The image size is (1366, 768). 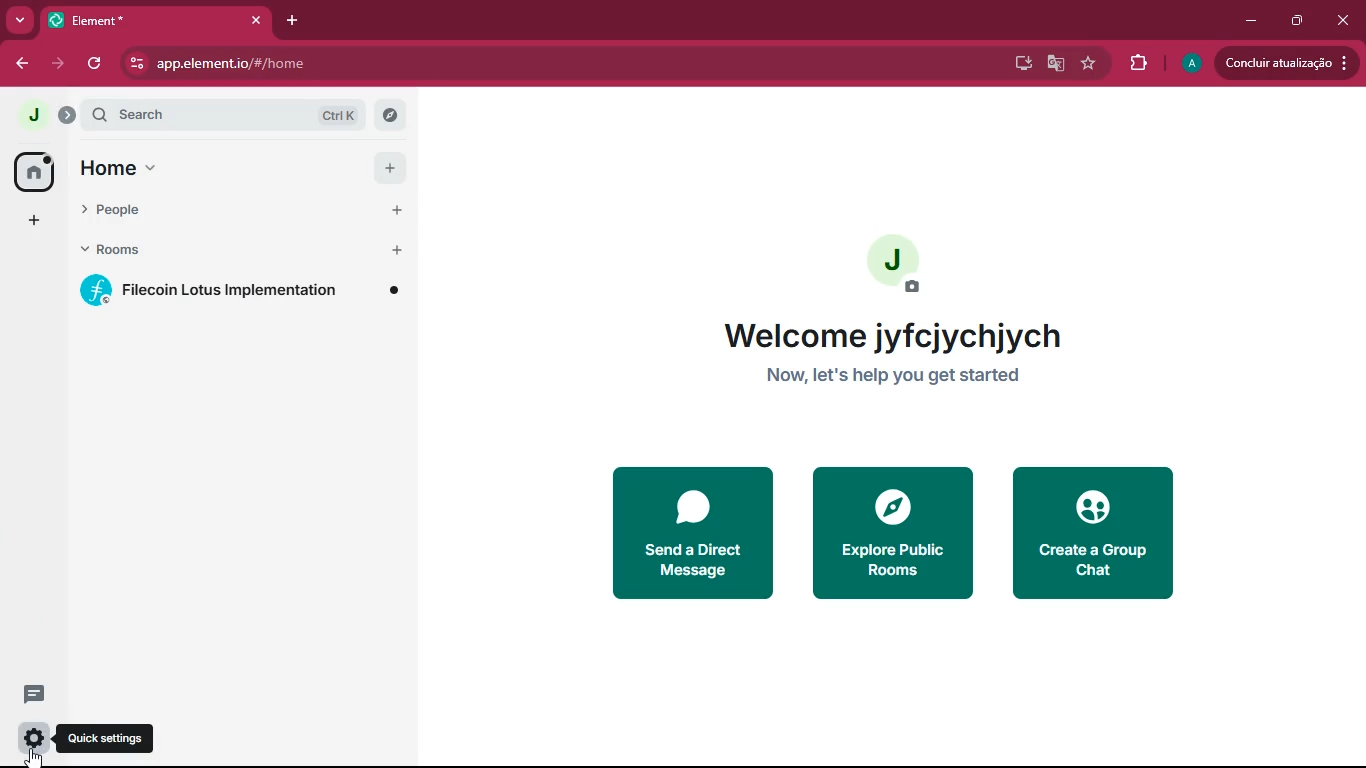 I want to click on add, so click(x=390, y=168).